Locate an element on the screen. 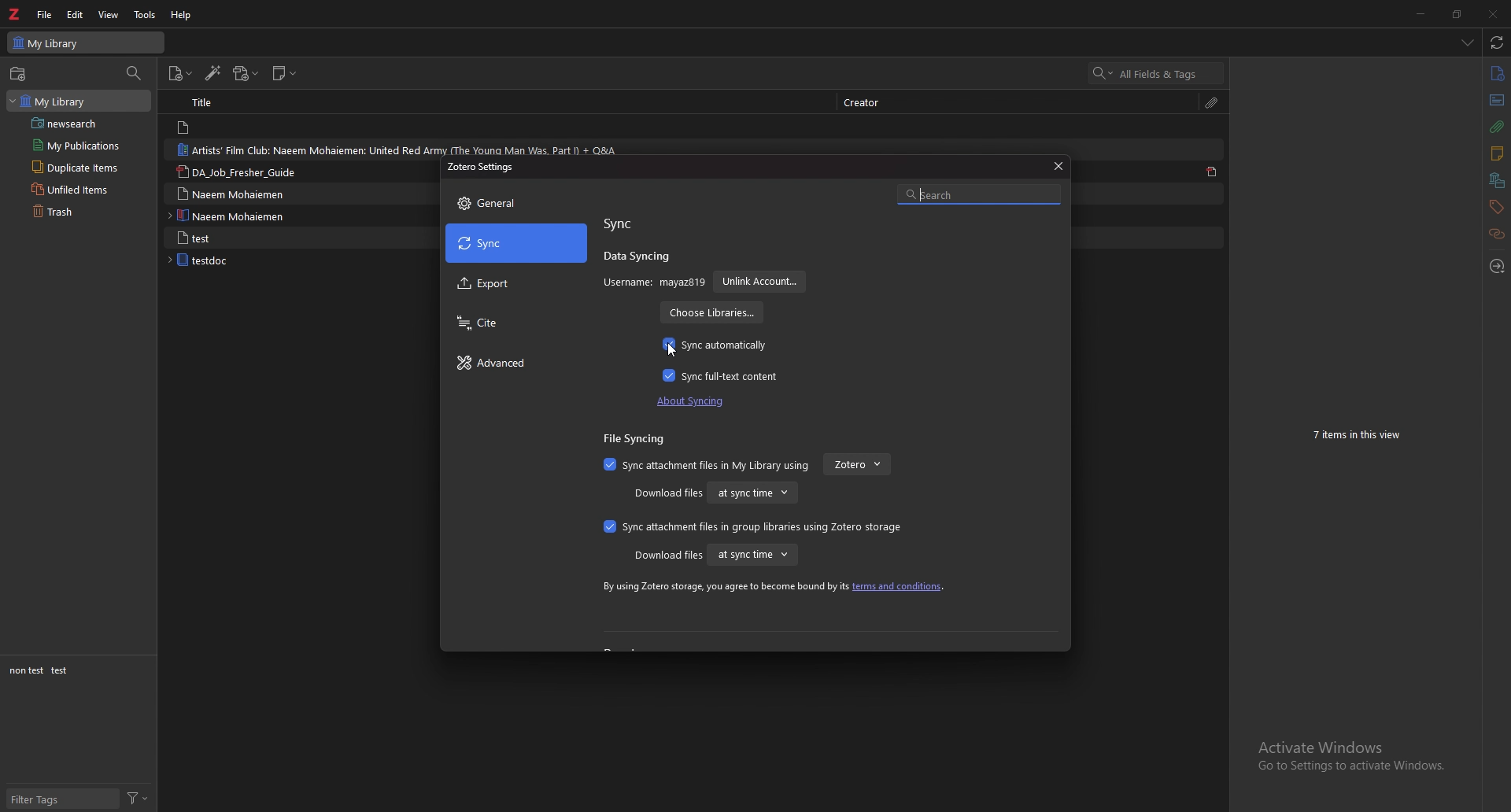  by using zotero storage, you agree to become bound by its  is located at coordinates (723, 587).